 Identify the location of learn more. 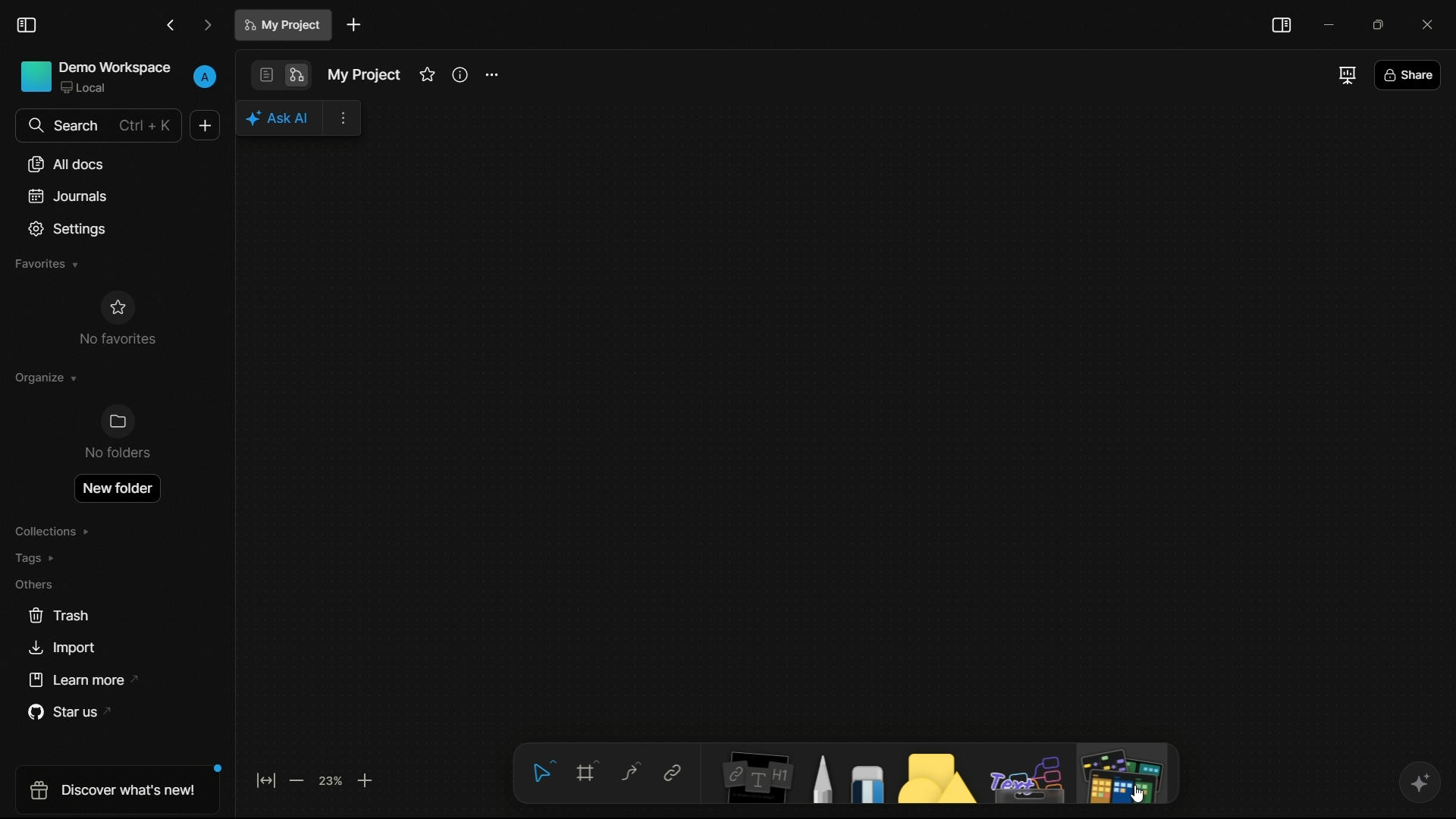
(86, 680).